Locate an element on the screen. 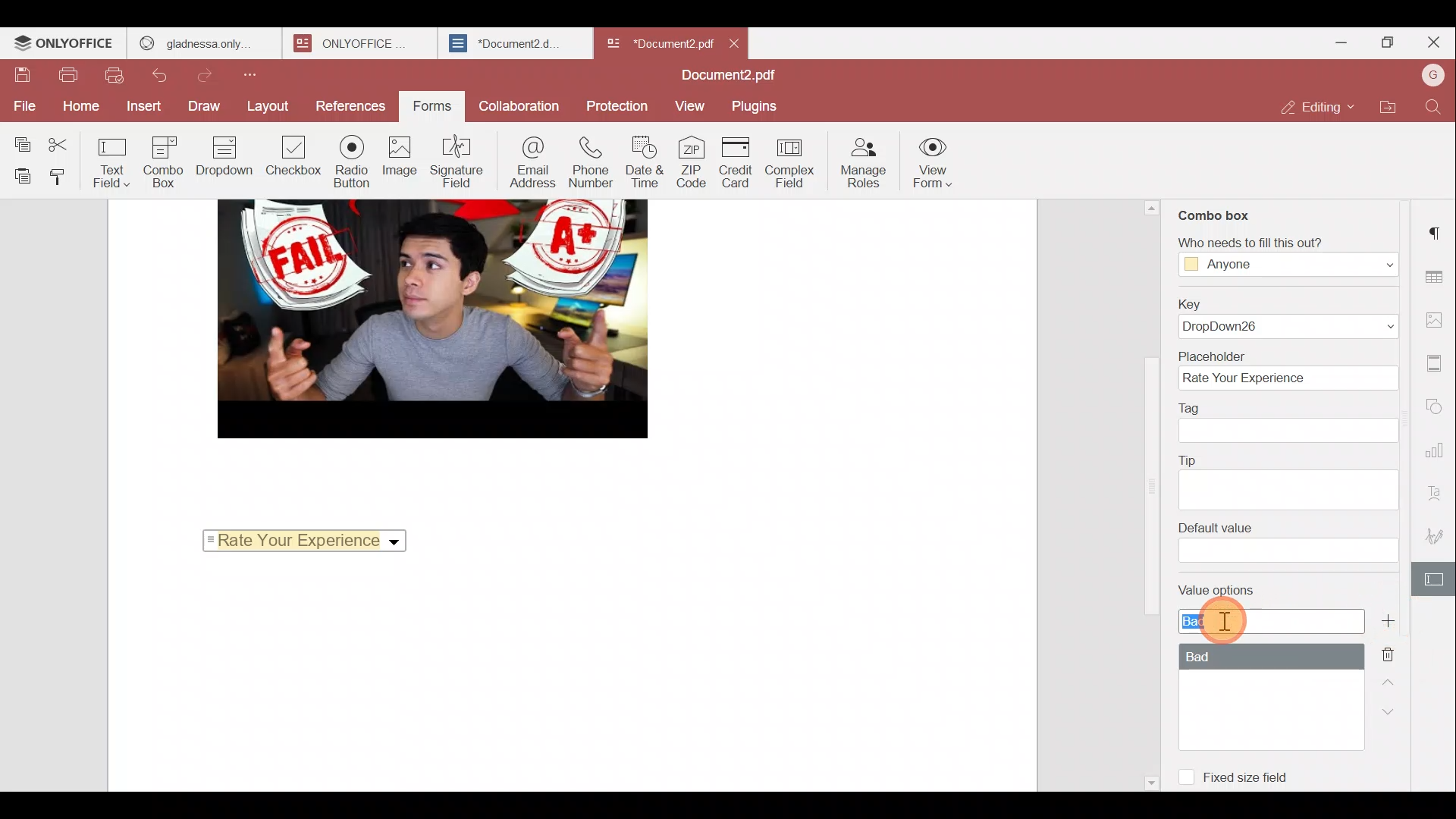 The image size is (1456, 819). Radio is located at coordinates (352, 162).